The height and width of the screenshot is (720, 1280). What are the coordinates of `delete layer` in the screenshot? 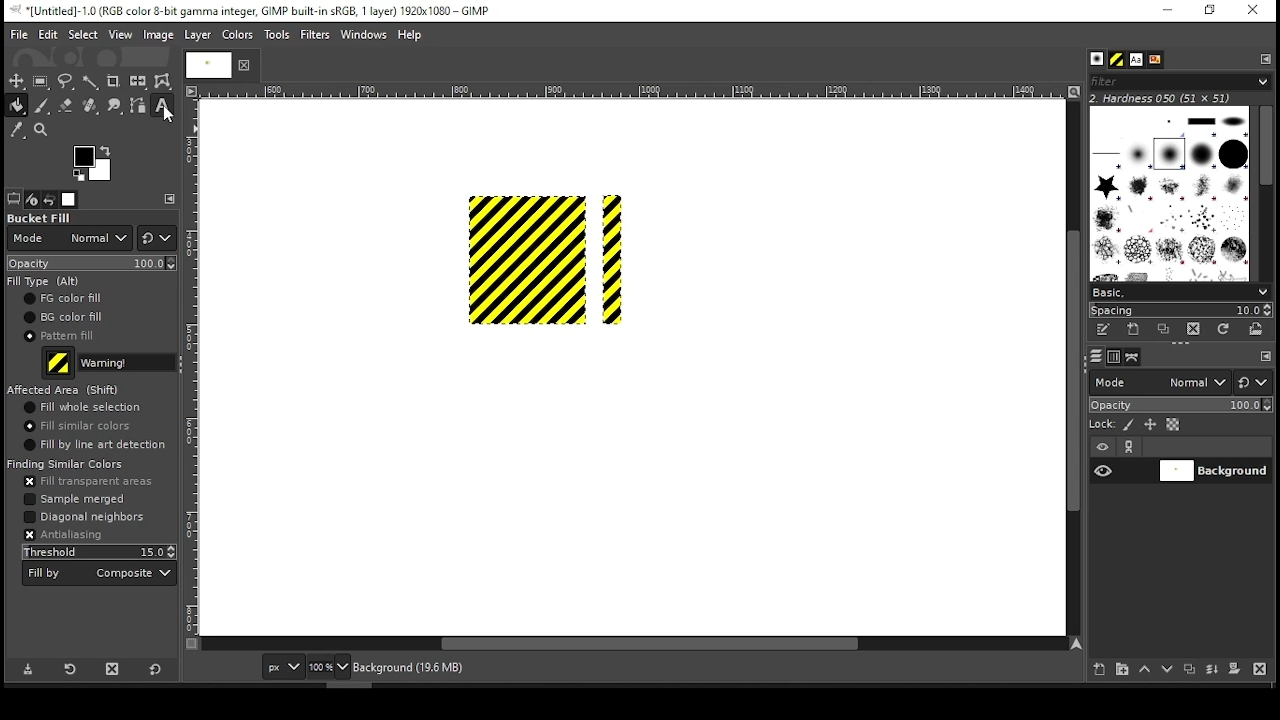 It's located at (1259, 669).